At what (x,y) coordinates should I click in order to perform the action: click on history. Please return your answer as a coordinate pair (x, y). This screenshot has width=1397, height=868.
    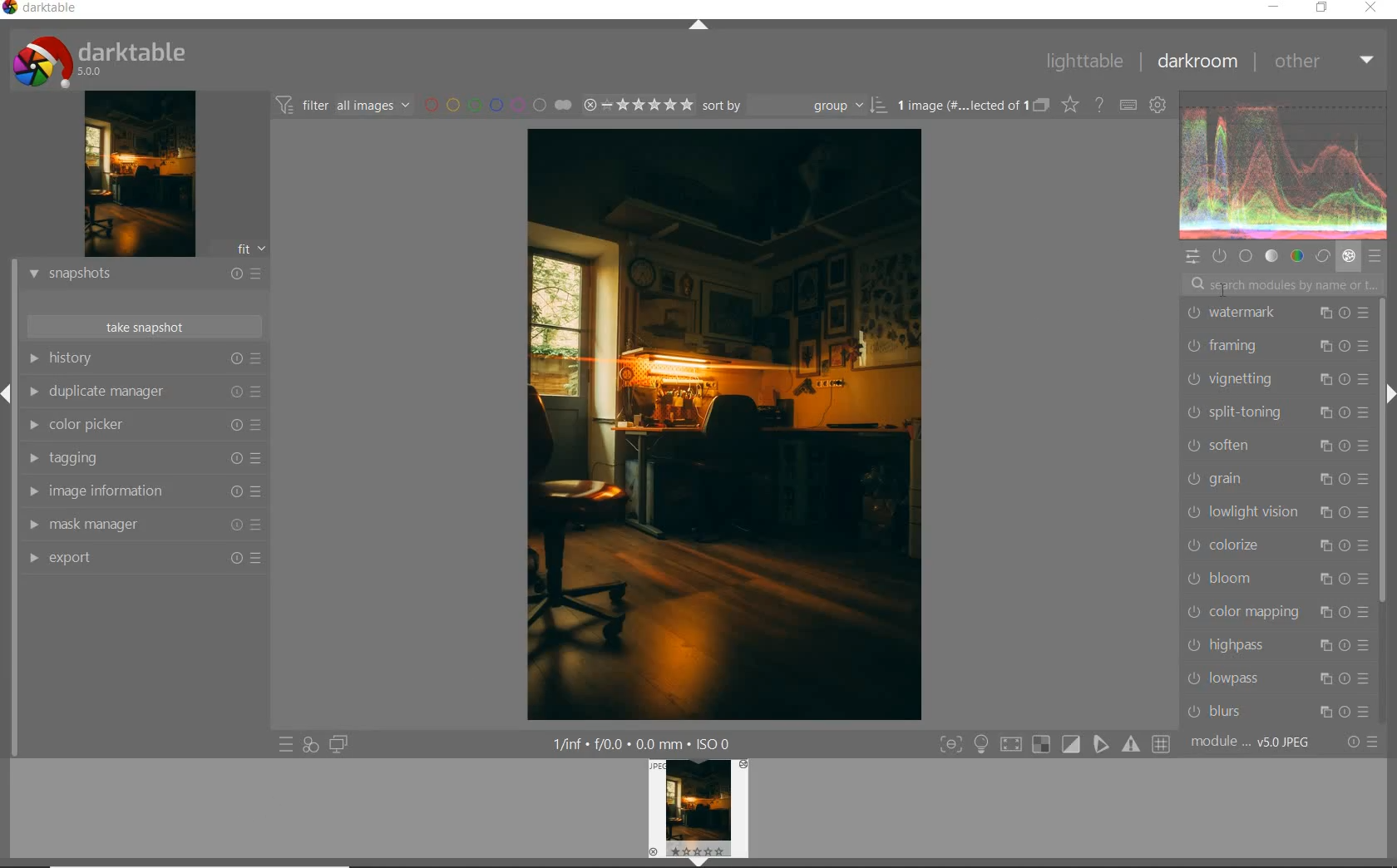
    Looking at the image, I should click on (146, 358).